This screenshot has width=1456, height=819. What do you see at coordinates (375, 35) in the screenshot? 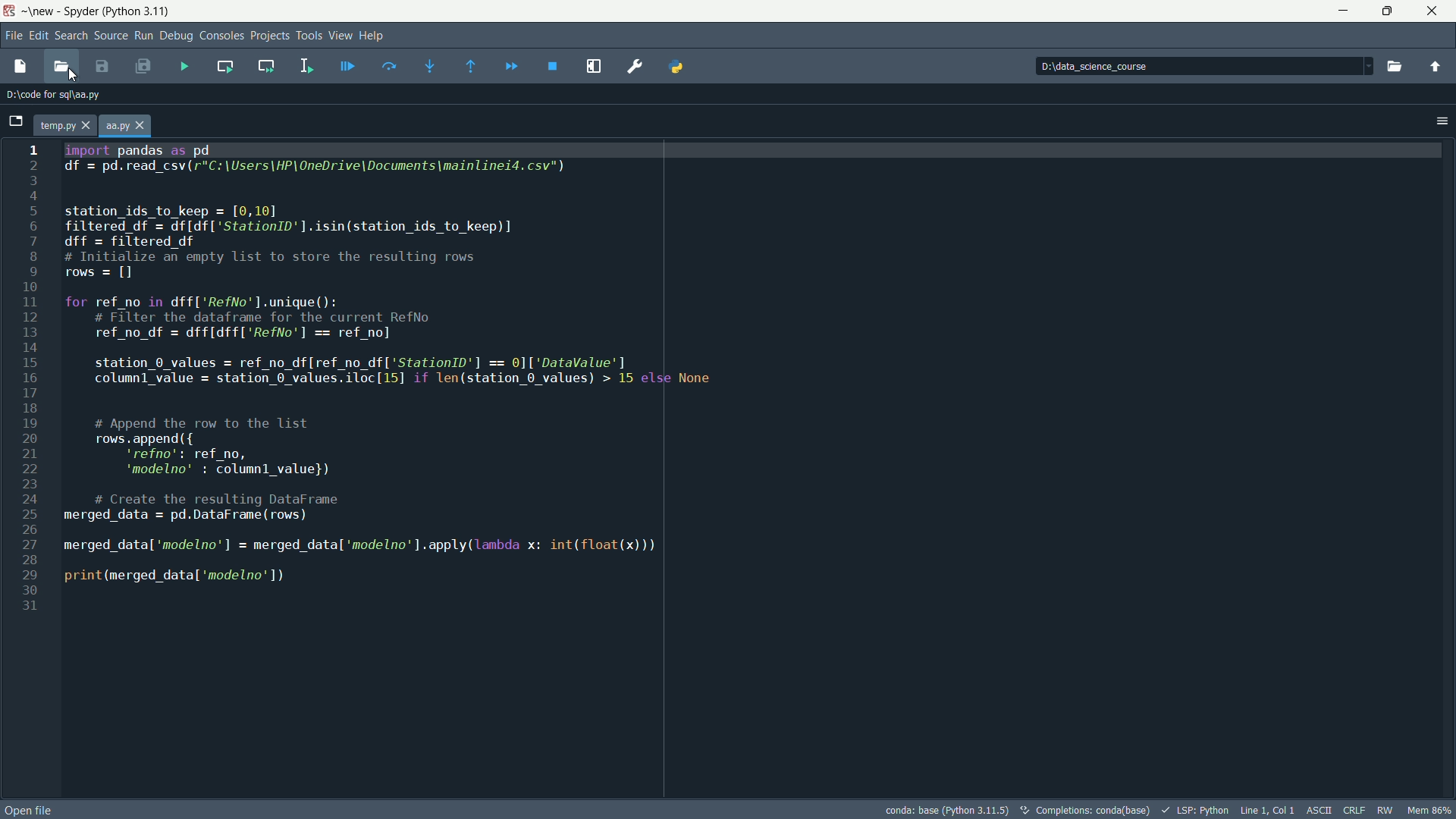
I see `help menu` at bounding box center [375, 35].